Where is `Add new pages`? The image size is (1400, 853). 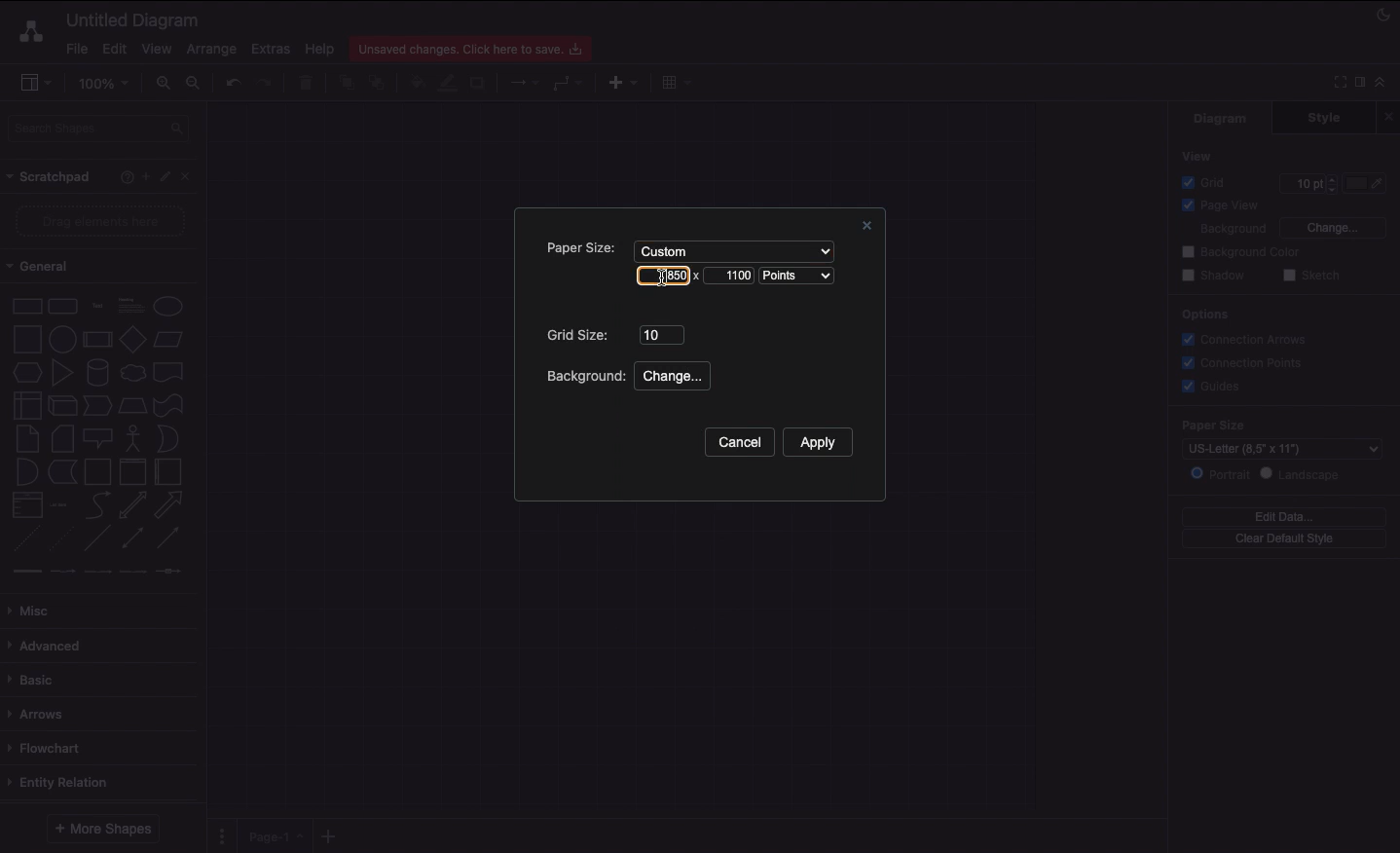
Add new pages is located at coordinates (331, 837).